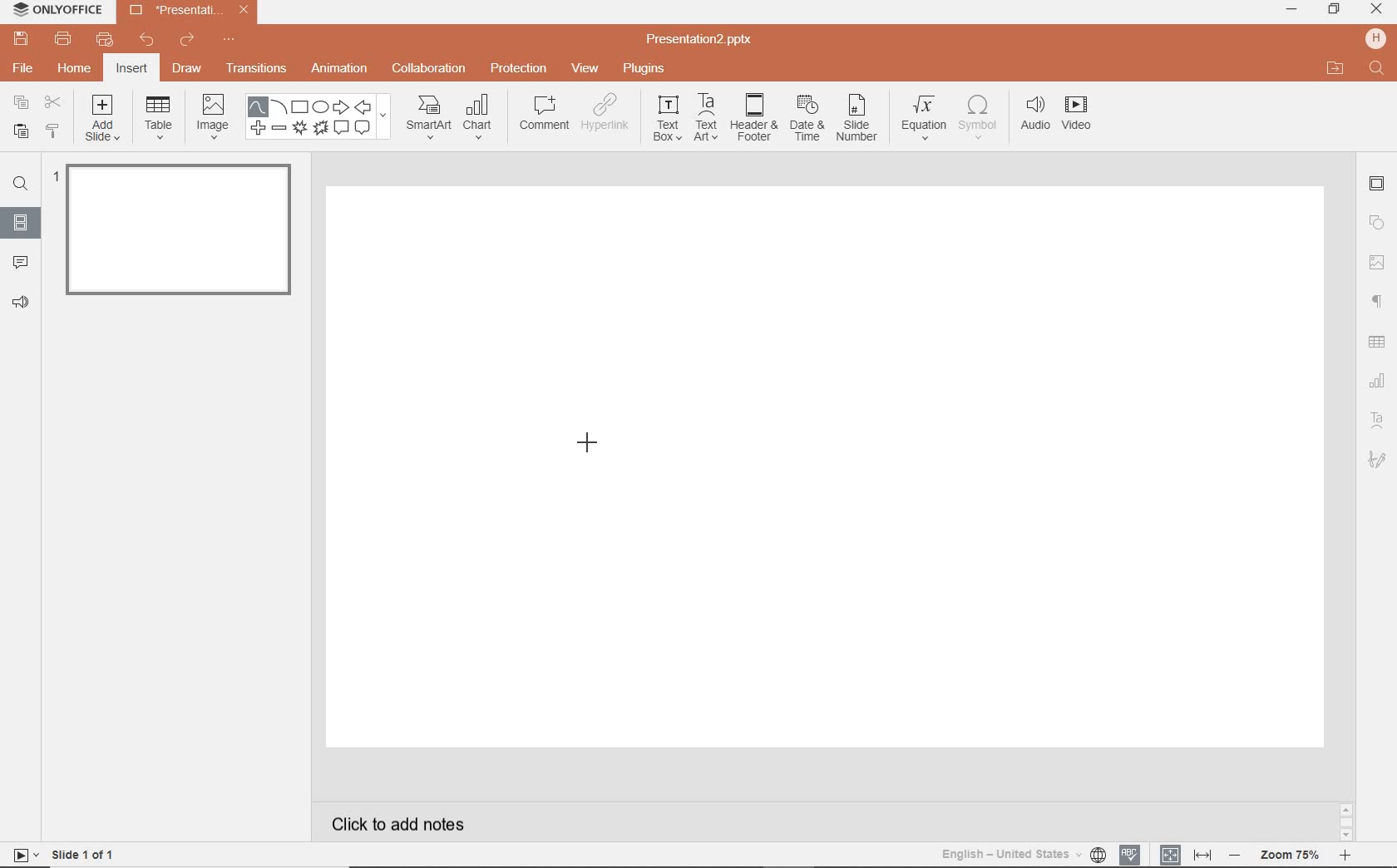  Describe the element at coordinates (1378, 185) in the screenshot. I see `SLIDE SETTINGS` at that location.